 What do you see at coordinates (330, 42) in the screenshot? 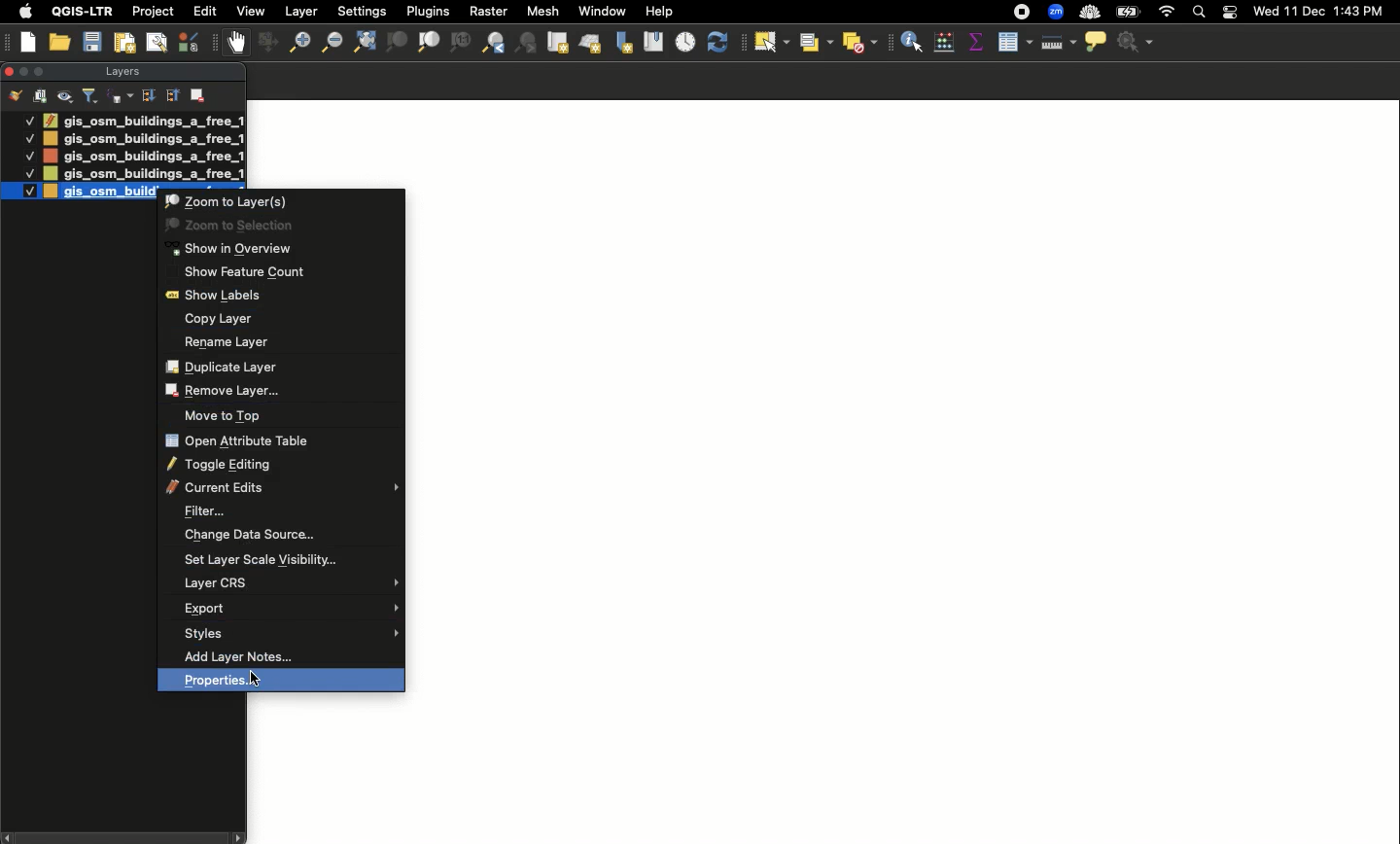
I see `Zoom out ` at bounding box center [330, 42].